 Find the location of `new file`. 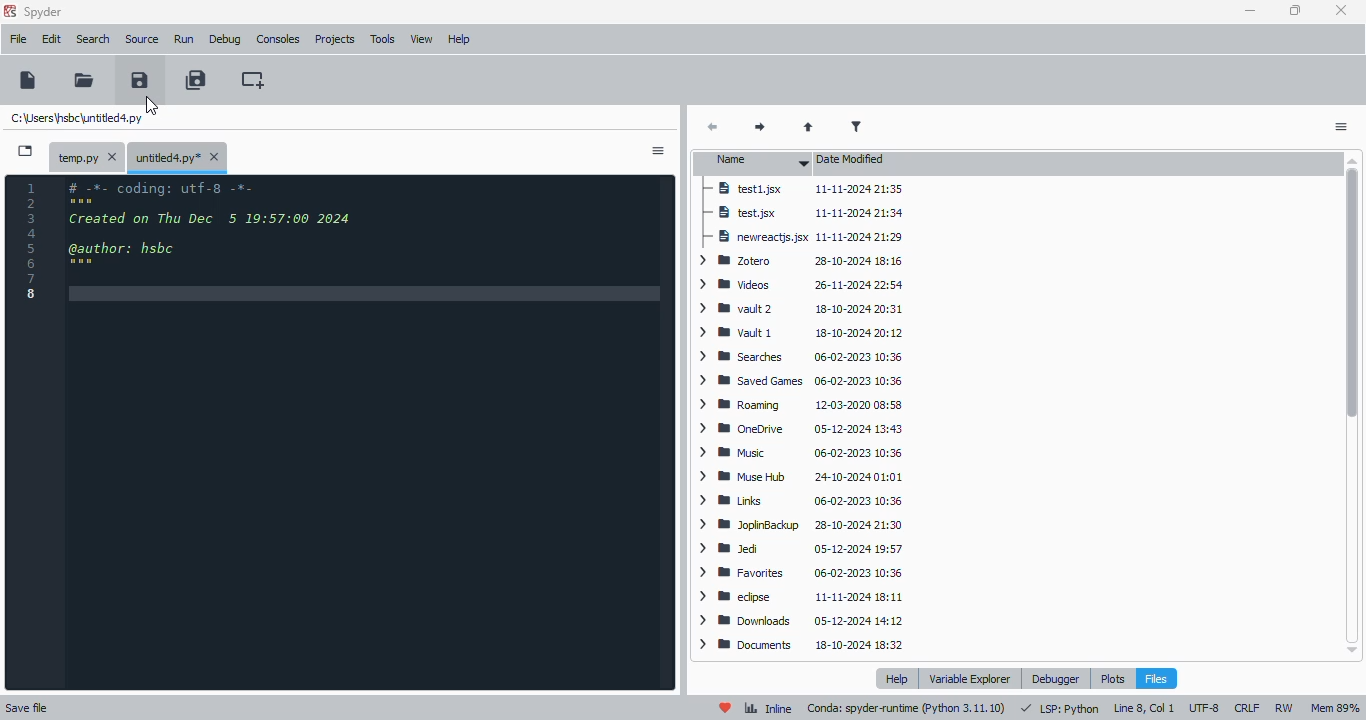

new file is located at coordinates (28, 80).